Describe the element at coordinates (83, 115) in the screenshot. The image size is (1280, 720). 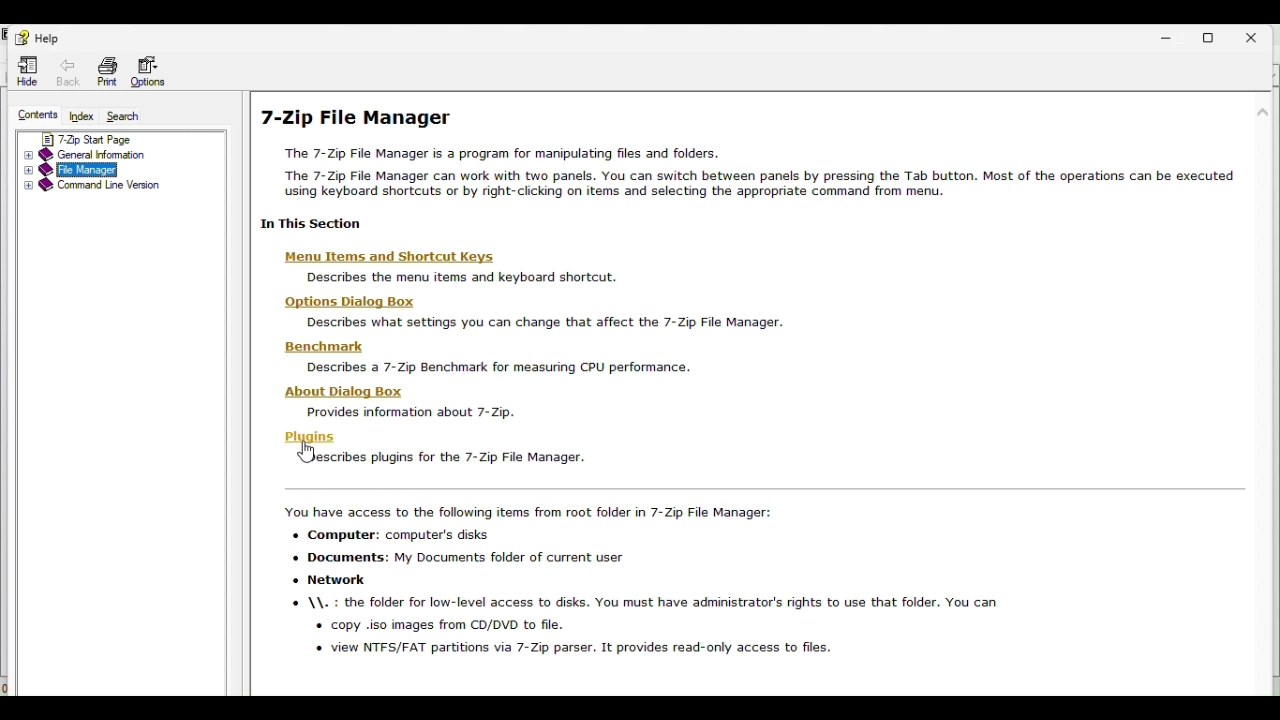
I see `Index` at that location.